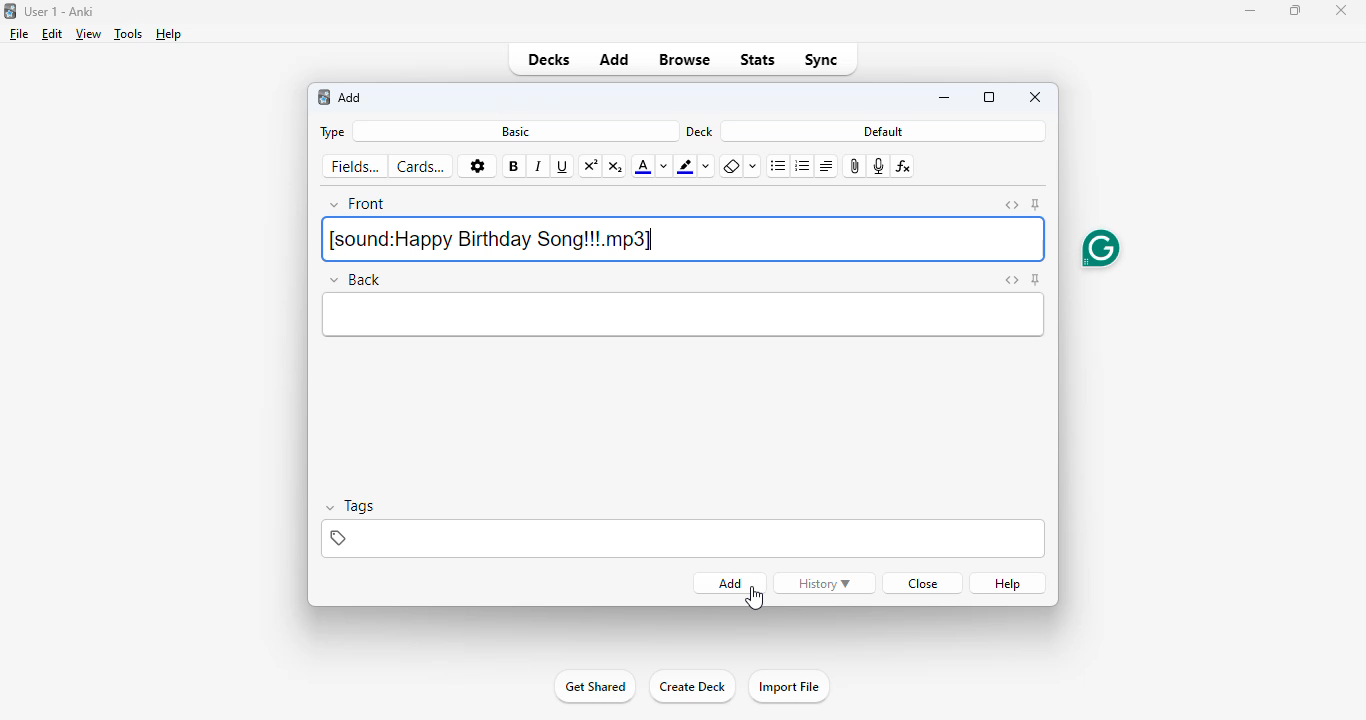 The image size is (1366, 720). What do you see at coordinates (594, 687) in the screenshot?
I see `get shared` at bounding box center [594, 687].